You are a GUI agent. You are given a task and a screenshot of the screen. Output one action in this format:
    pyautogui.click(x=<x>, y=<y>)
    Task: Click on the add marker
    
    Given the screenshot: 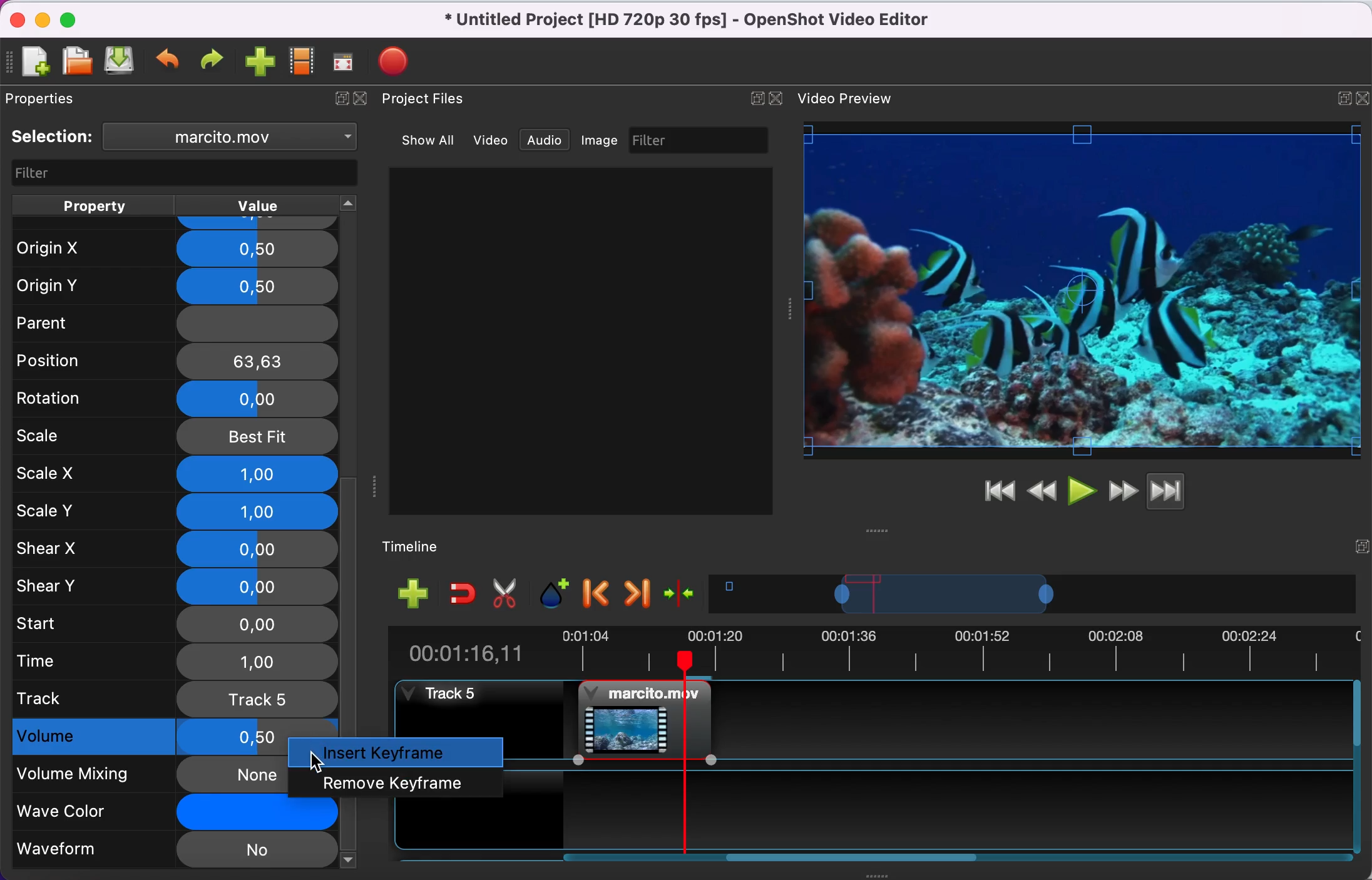 What is the action you would take?
    pyautogui.click(x=555, y=593)
    